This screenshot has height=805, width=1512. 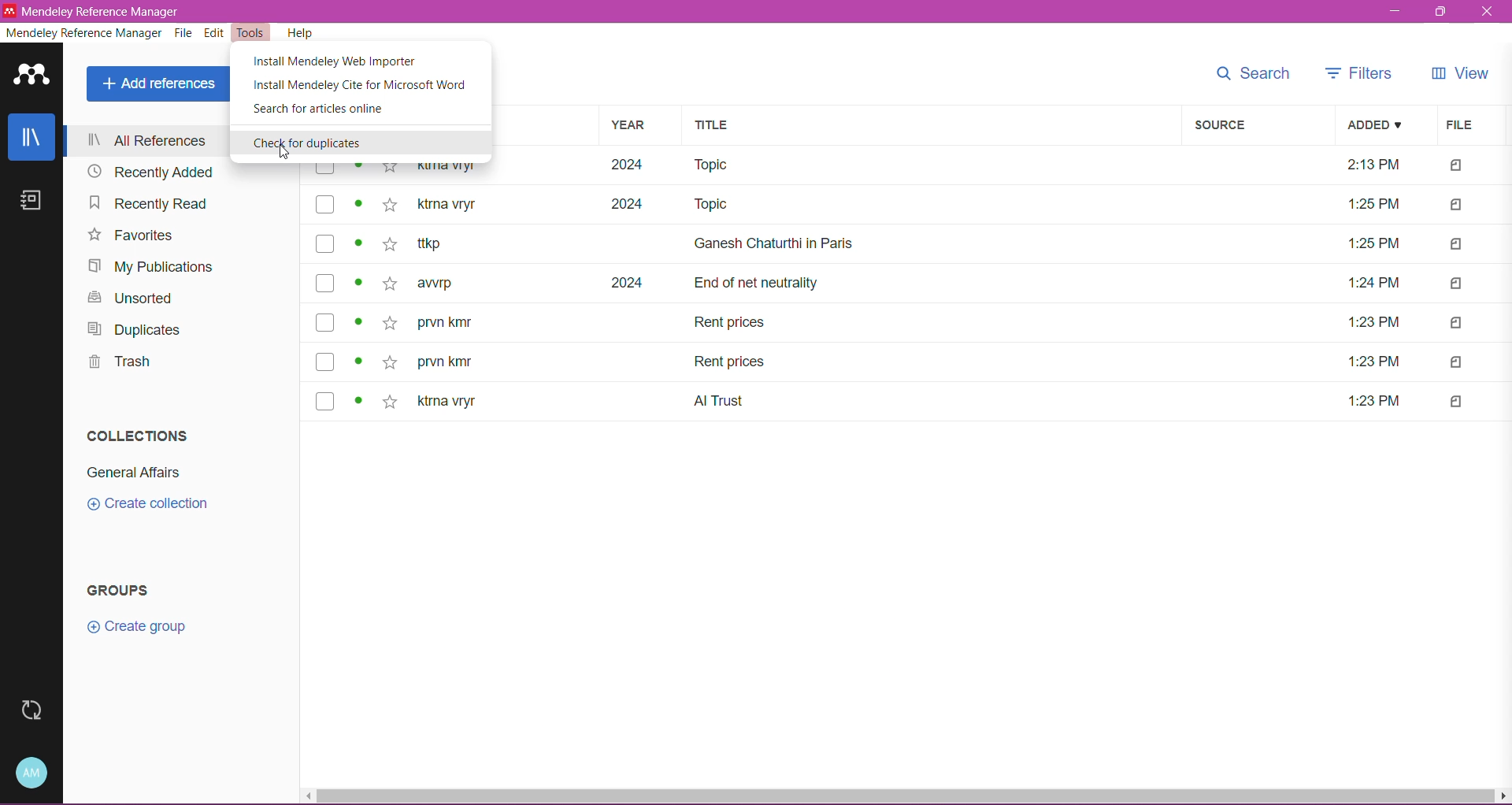 I want to click on authors, so click(x=450, y=206).